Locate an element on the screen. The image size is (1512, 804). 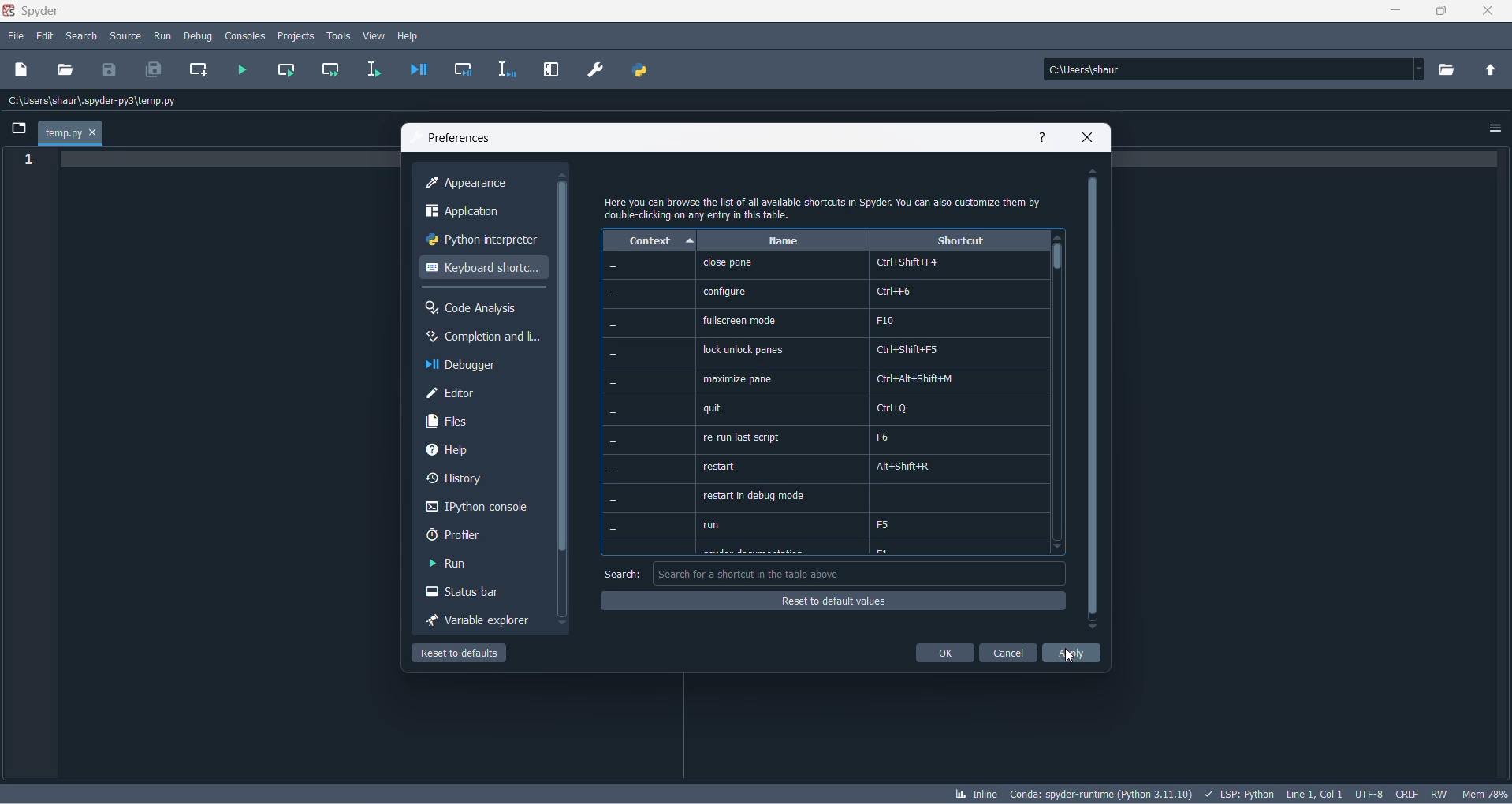
- is located at coordinates (615, 499).